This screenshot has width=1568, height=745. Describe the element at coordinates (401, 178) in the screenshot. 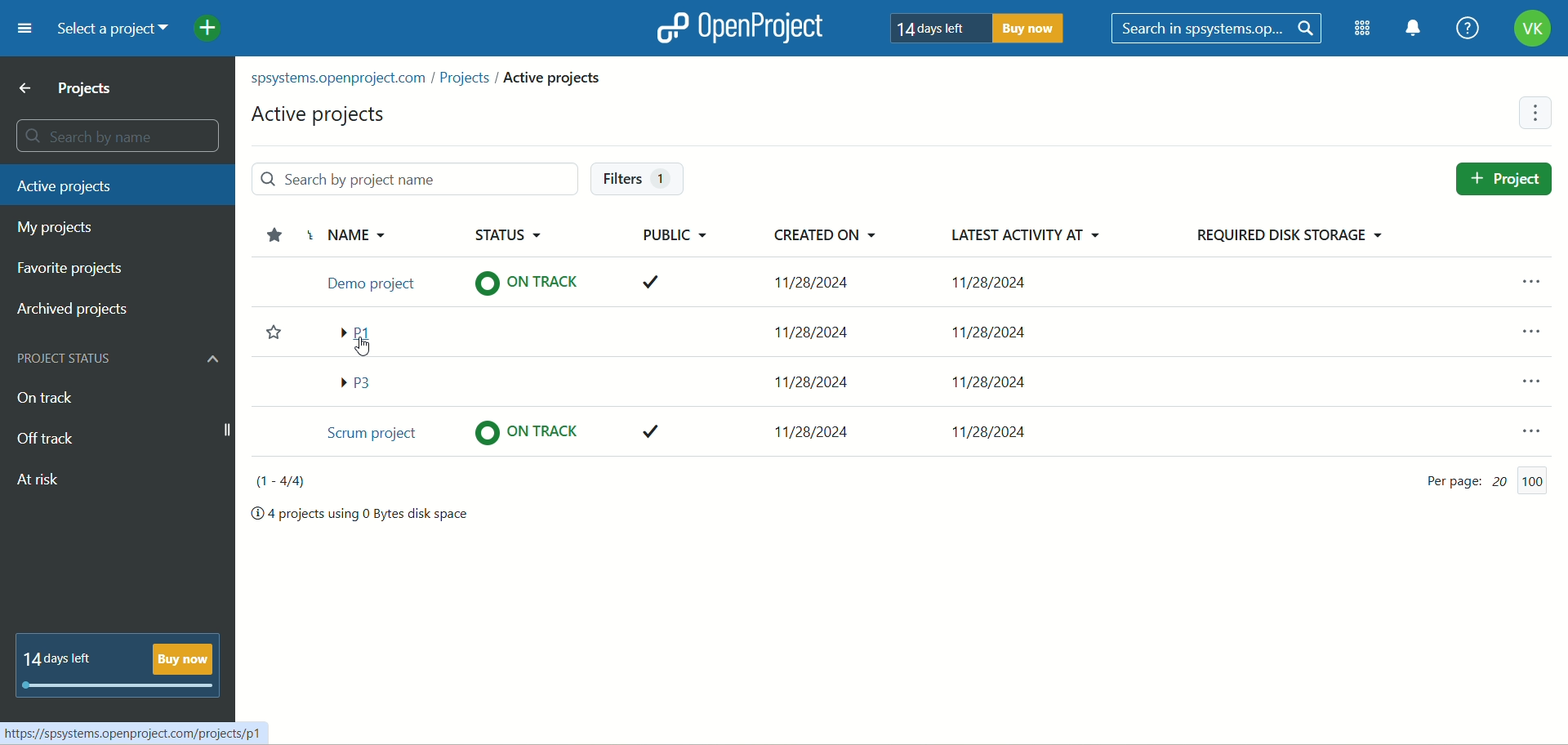

I see `search by project name` at that location.